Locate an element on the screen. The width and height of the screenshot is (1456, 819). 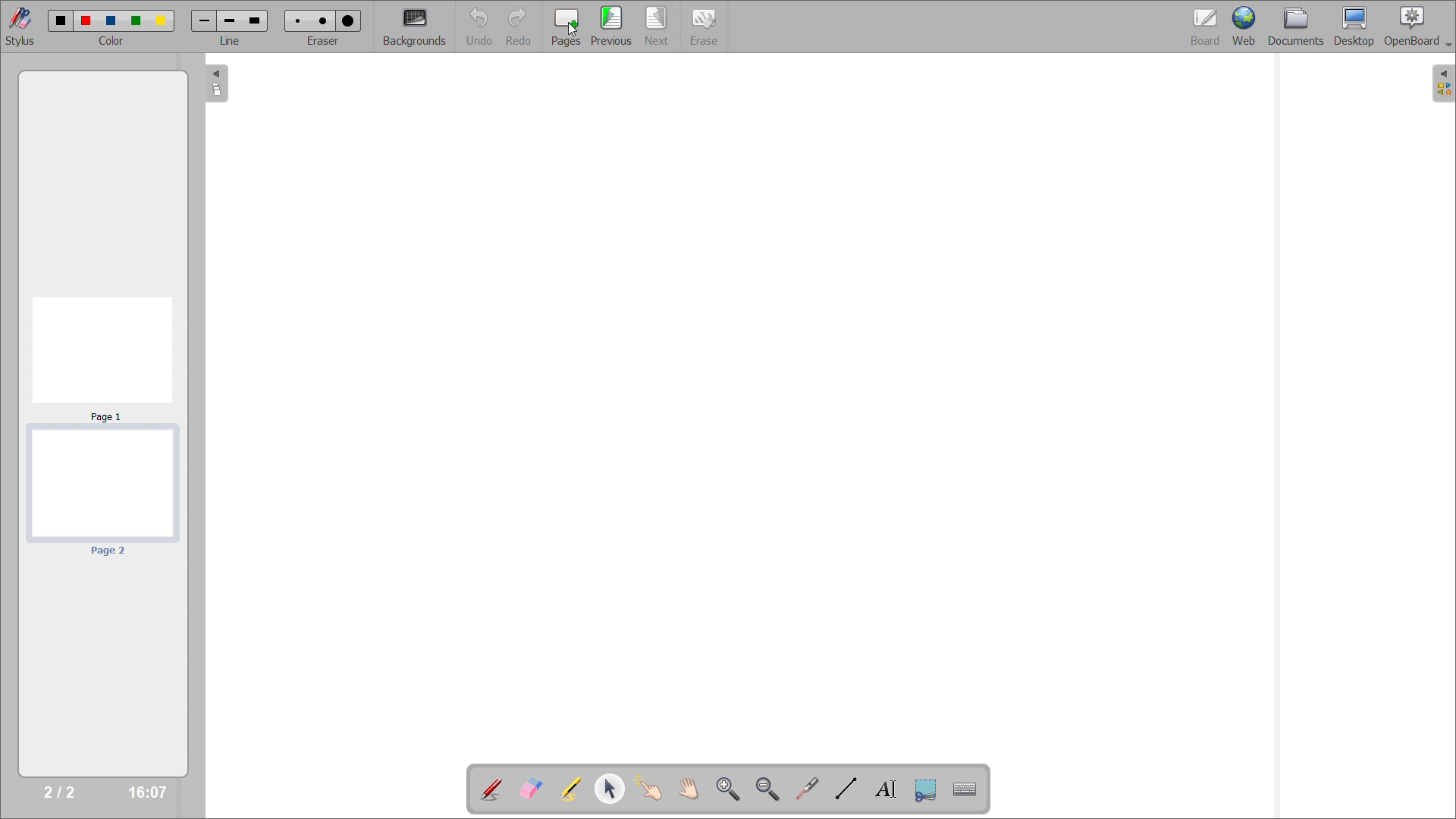
web is located at coordinates (1244, 27).